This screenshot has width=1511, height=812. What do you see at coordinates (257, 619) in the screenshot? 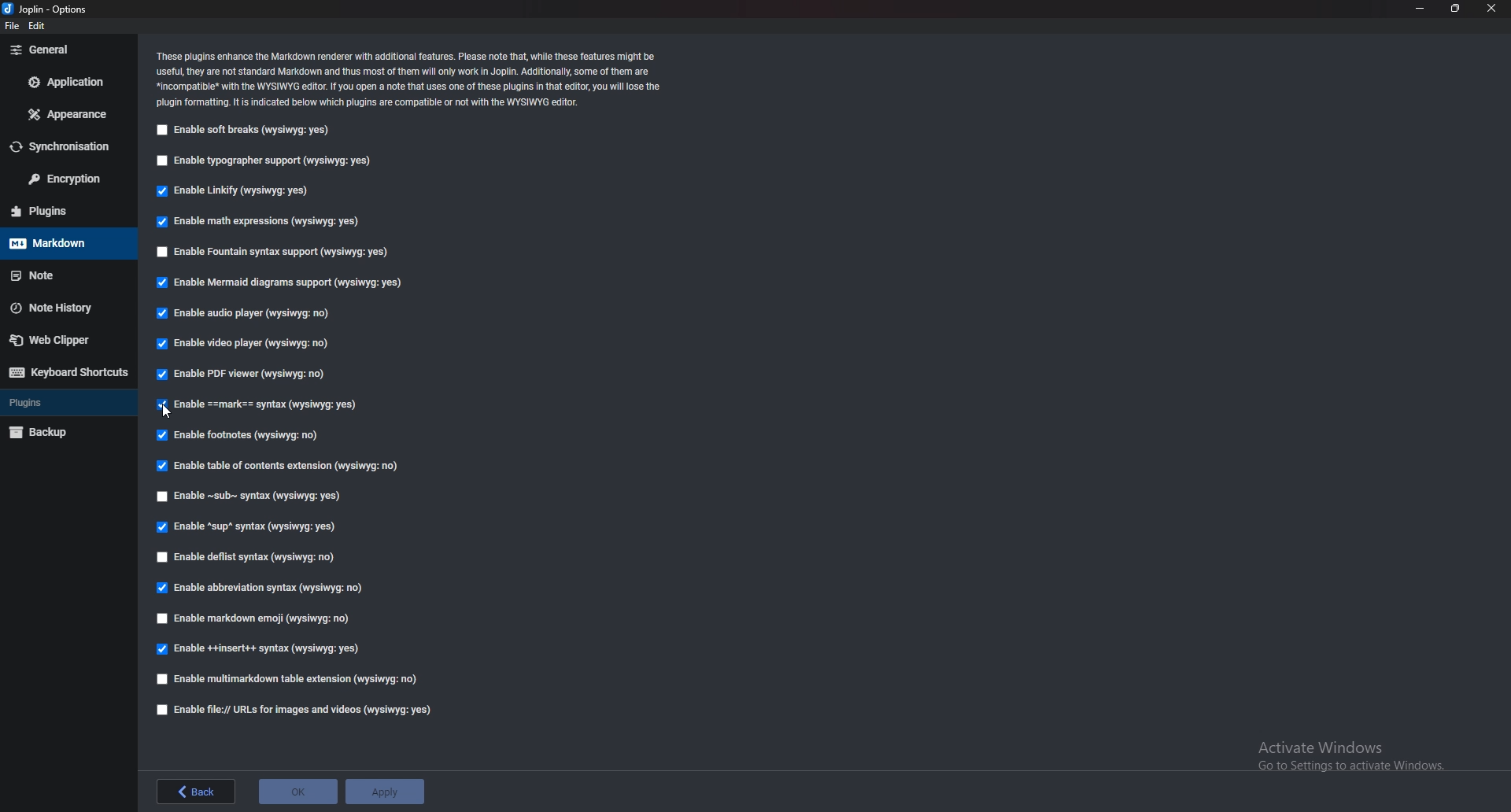
I see `Enable Markdown Emoji` at bounding box center [257, 619].